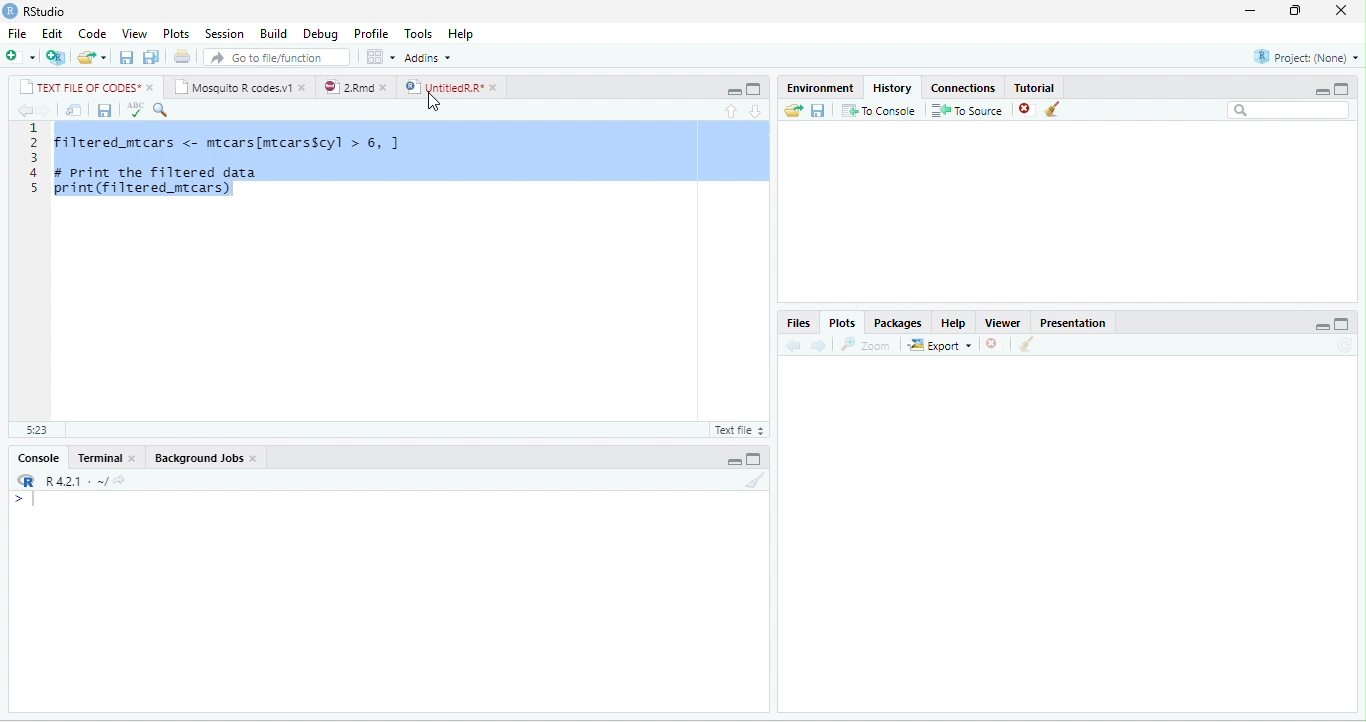 Image resolution: width=1366 pixels, height=722 pixels. What do you see at coordinates (371, 34) in the screenshot?
I see `Profile` at bounding box center [371, 34].